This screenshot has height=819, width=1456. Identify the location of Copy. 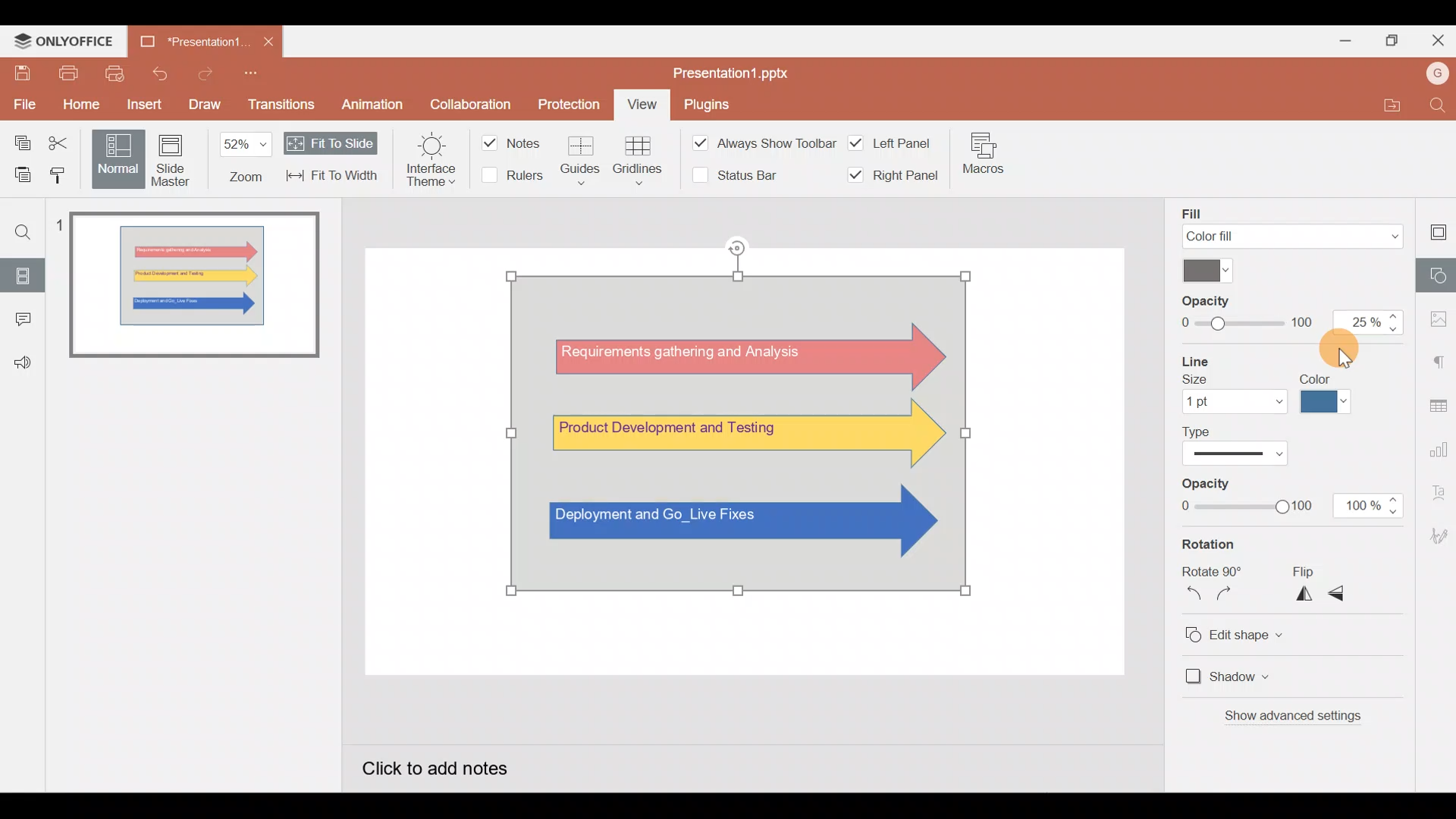
(17, 140).